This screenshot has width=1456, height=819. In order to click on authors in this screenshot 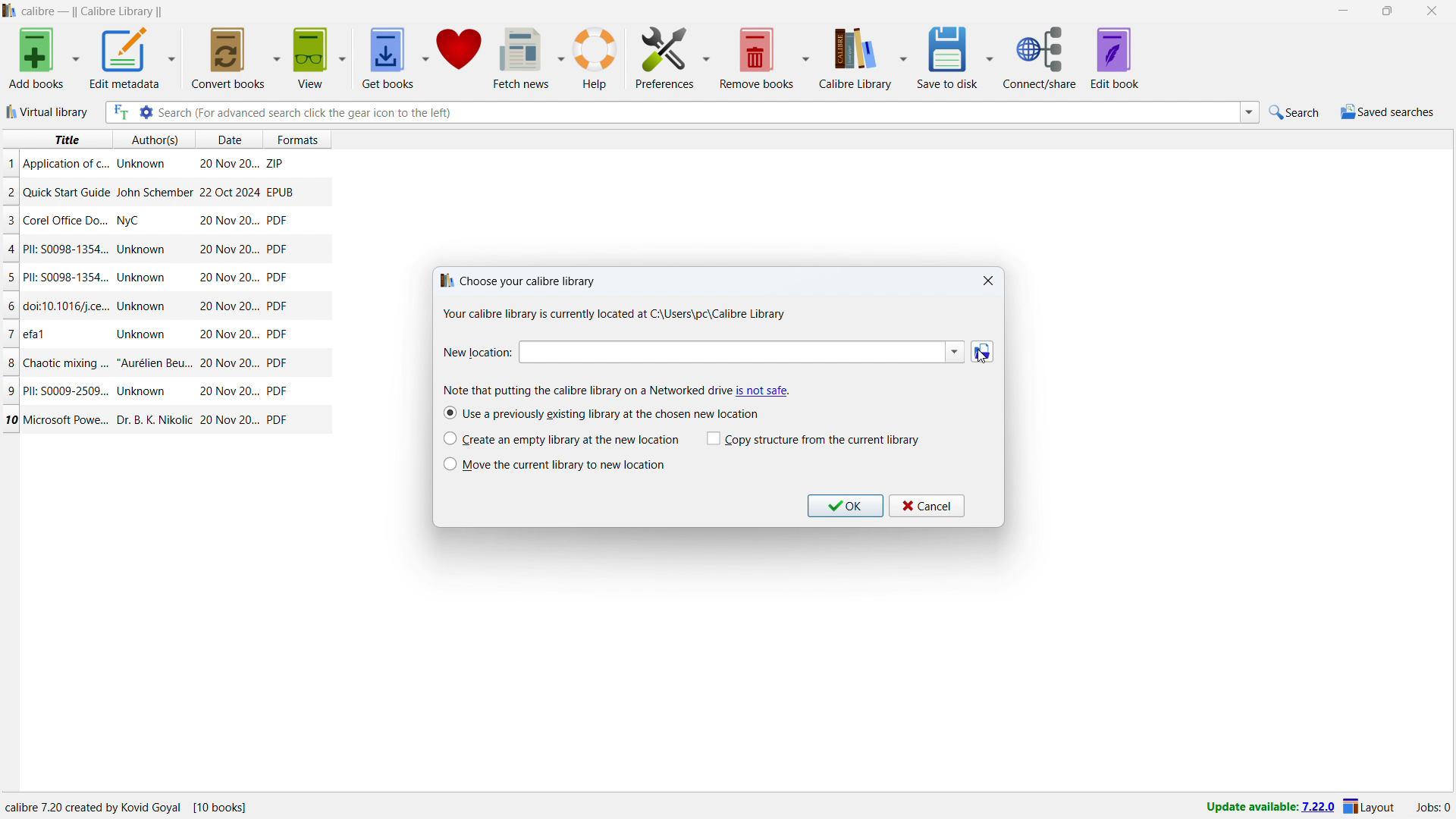, I will do `click(155, 140)`.